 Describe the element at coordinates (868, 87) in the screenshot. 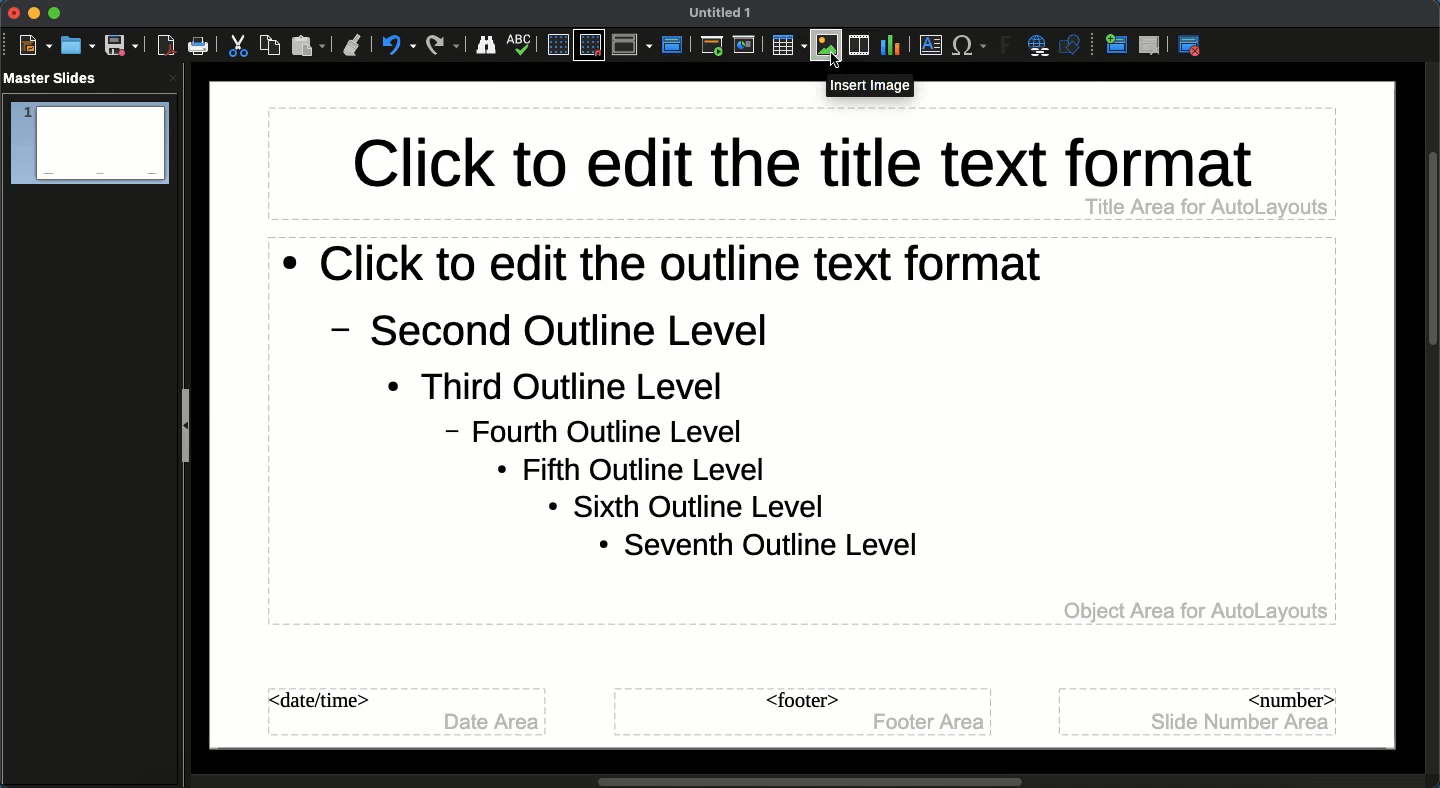

I see `Insert image` at that location.